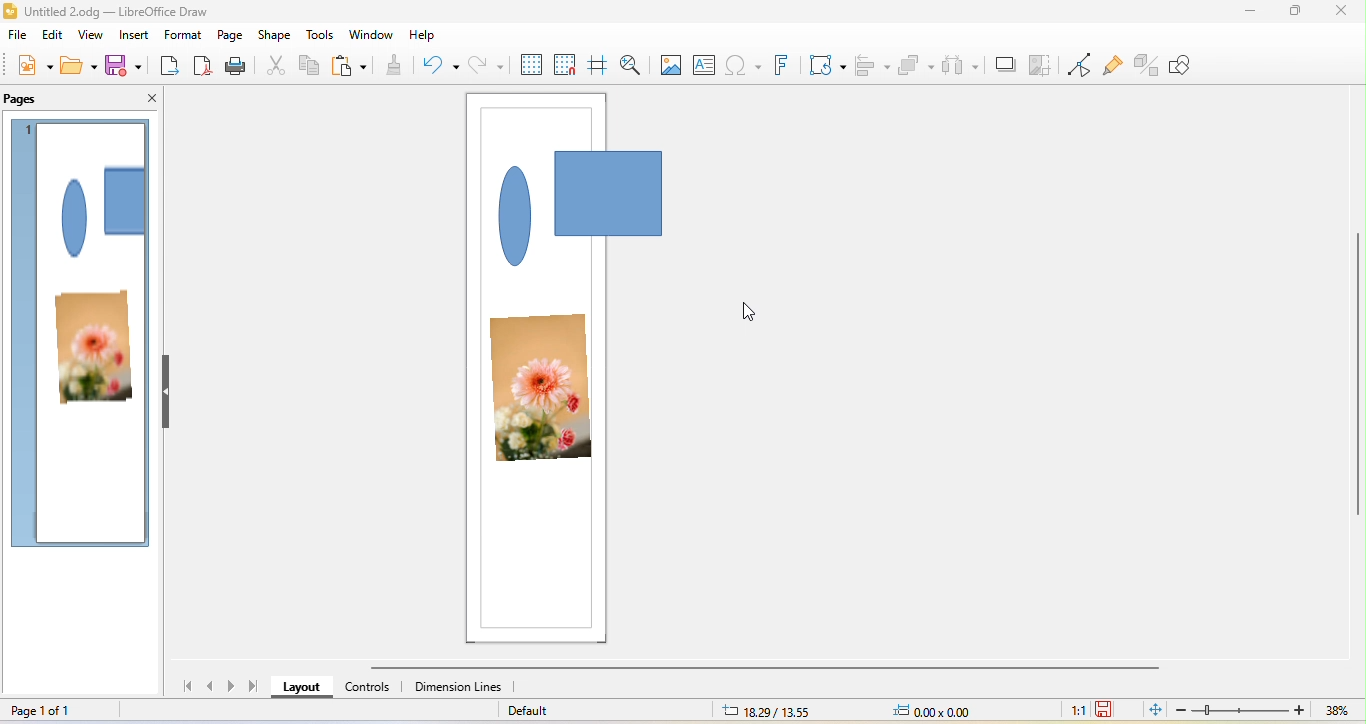 The height and width of the screenshot is (724, 1366). I want to click on help, so click(423, 36).